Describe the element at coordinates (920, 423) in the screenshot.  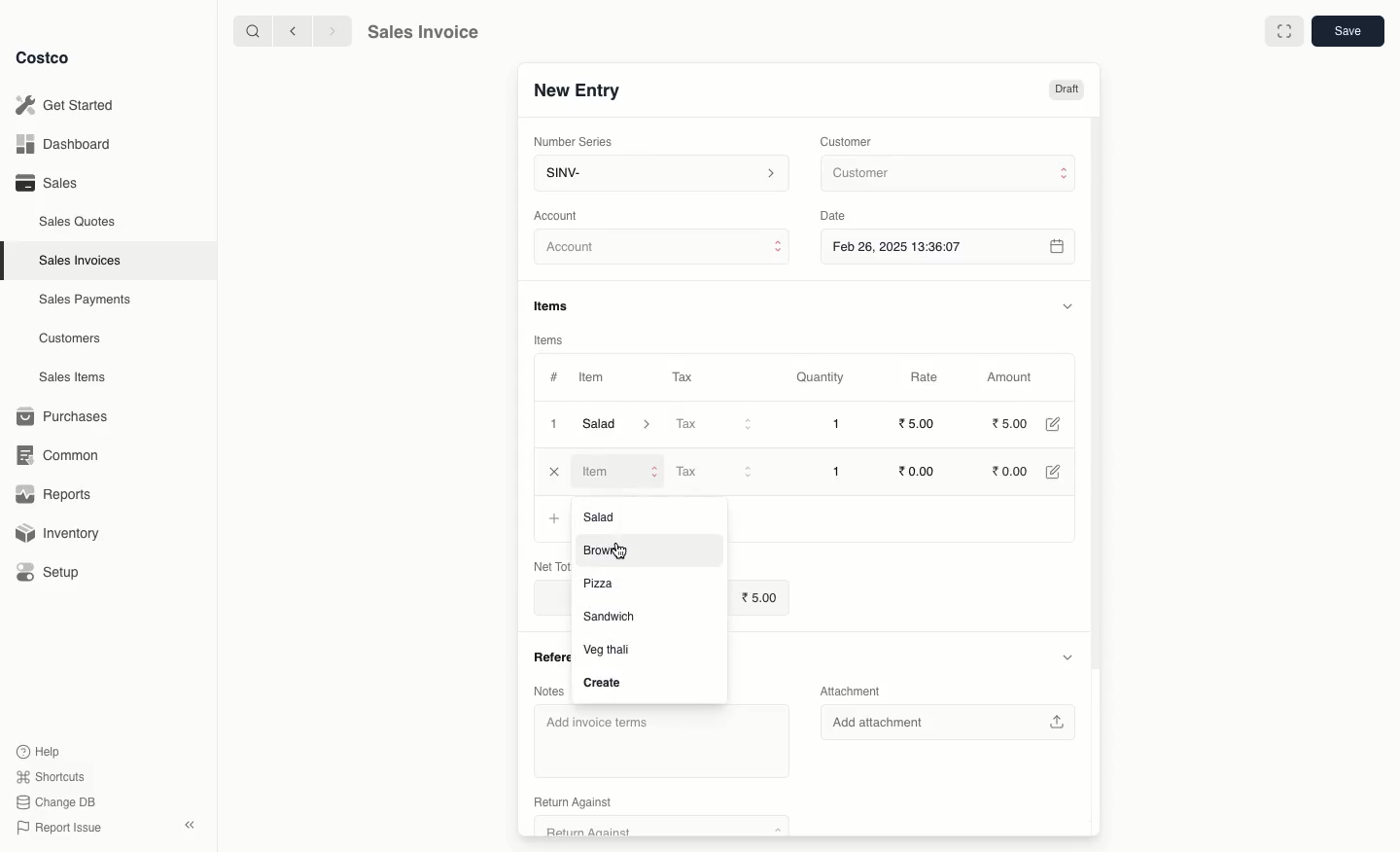
I see `5.00` at that location.